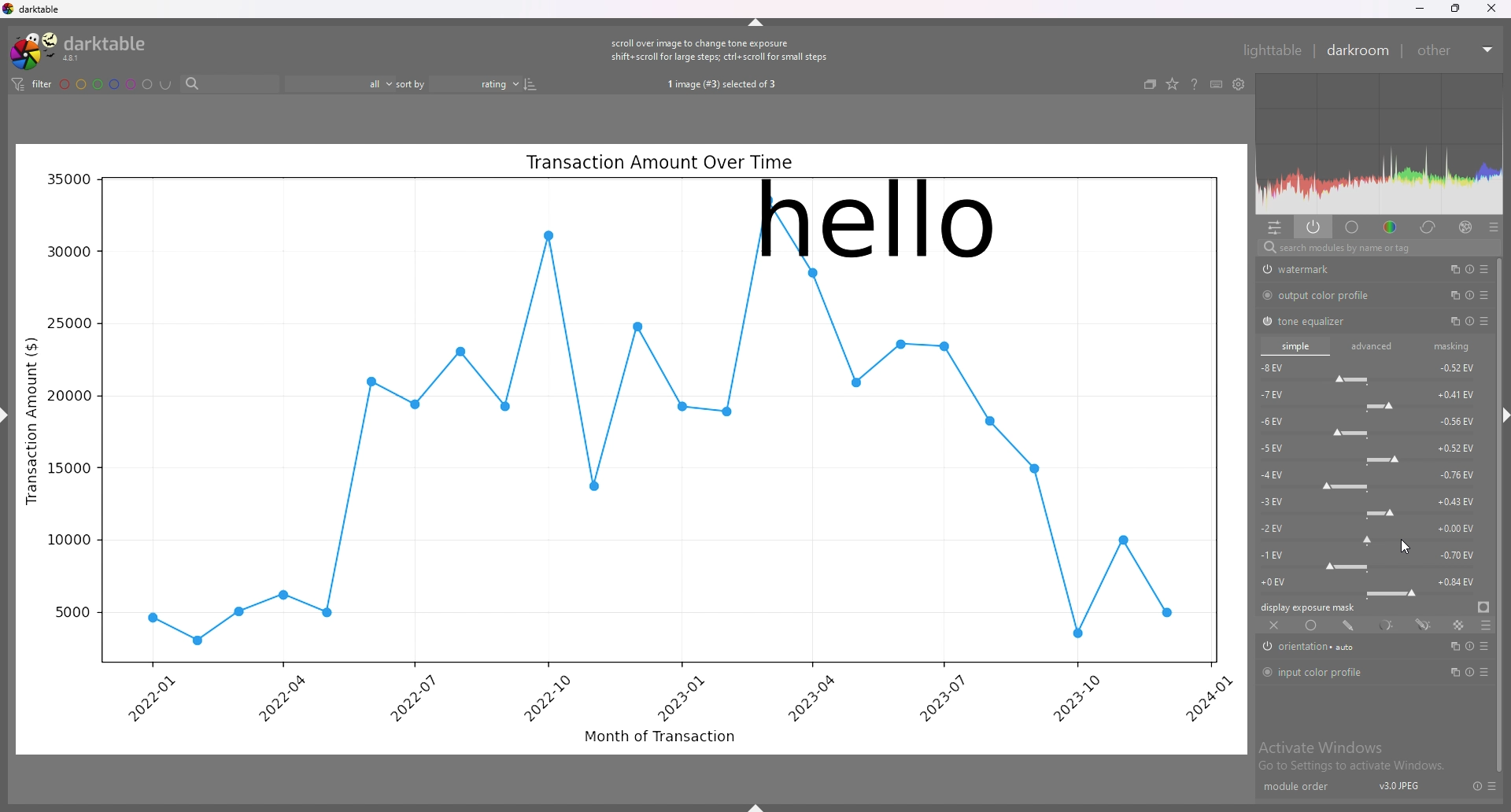 Image resolution: width=1511 pixels, height=812 pixels. Describe the element at coordinates (659, 162) in the screenshot. I see `Transaction Amount Over Time` at that location.